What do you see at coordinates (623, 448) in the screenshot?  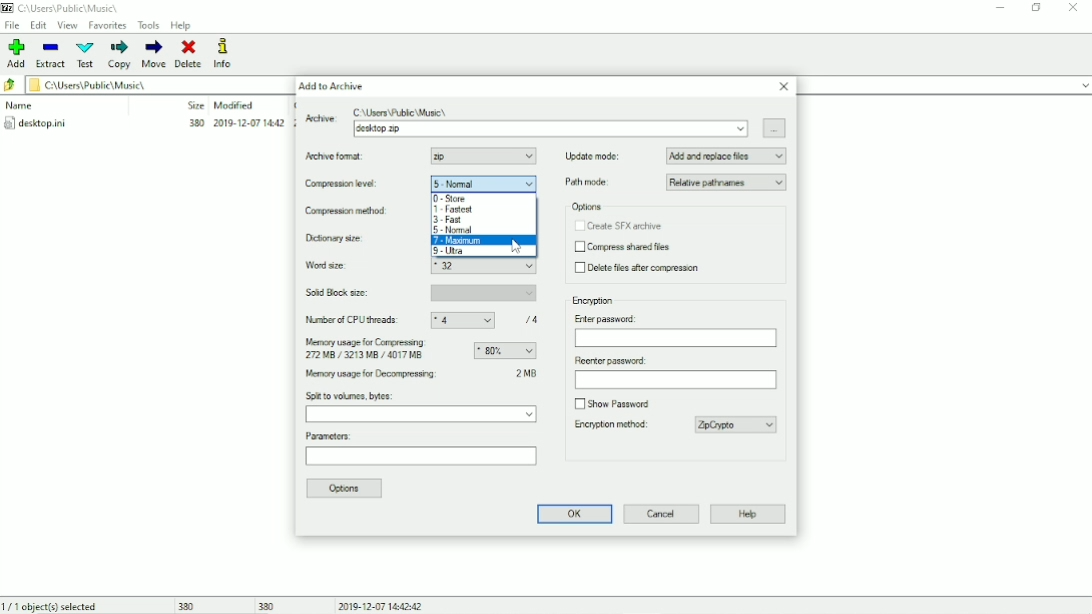 I see `Encrypt file names` at bounding box center [623, 448].